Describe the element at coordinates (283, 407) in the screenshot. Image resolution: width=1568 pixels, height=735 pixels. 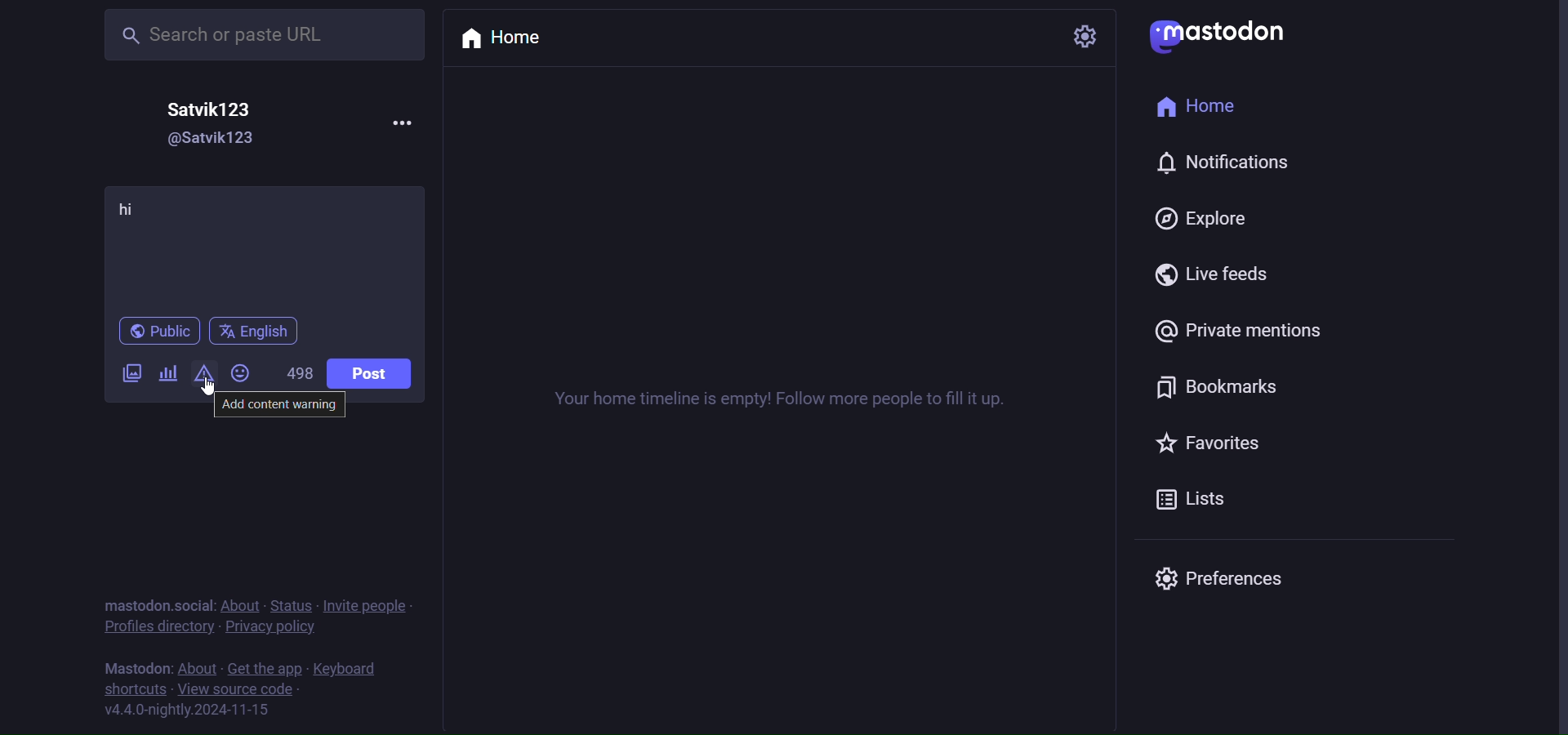
I see `add content warning` at that location.